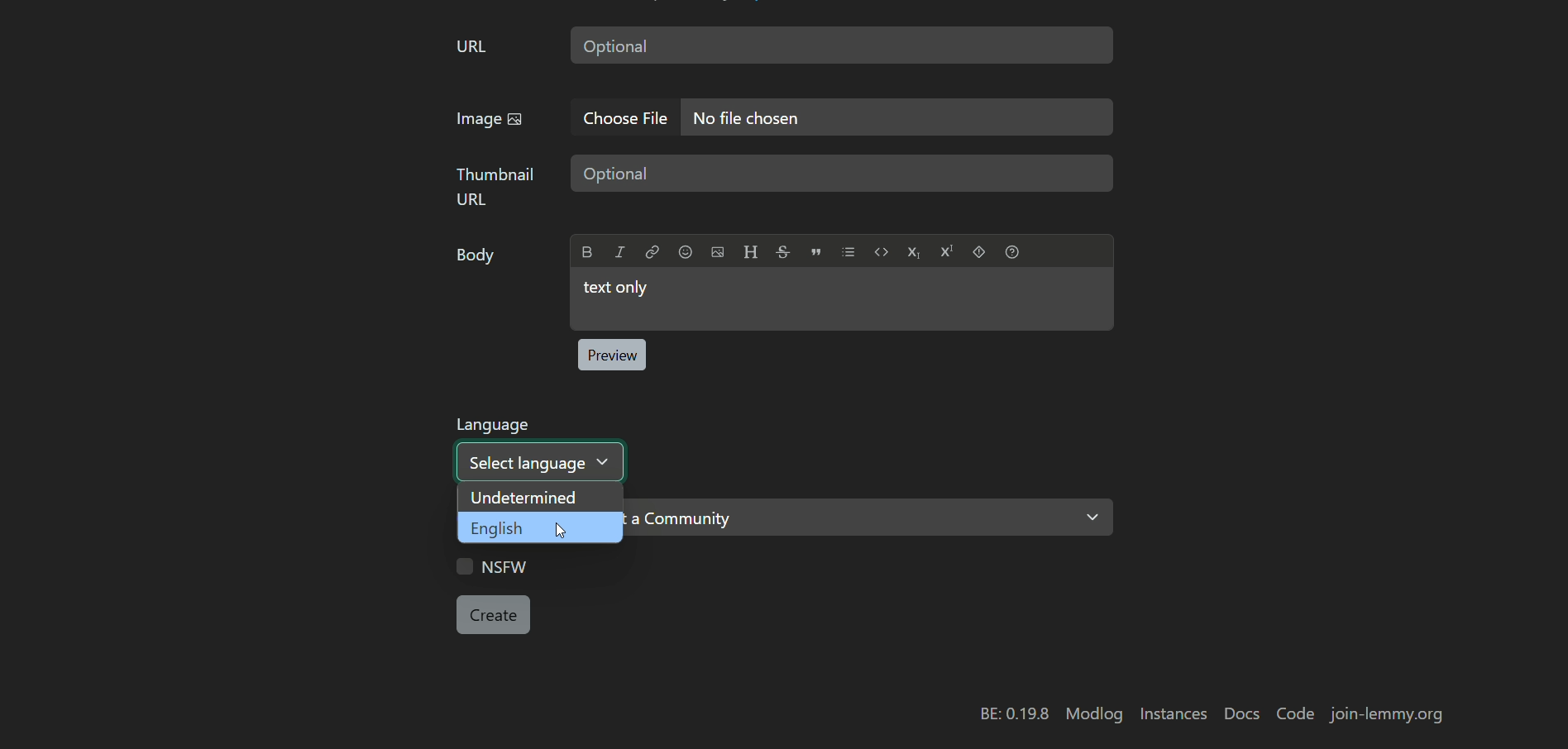 The width and height of the screenshot is (1568, 749). I want to click on Strikethrough, so click(783, 250).